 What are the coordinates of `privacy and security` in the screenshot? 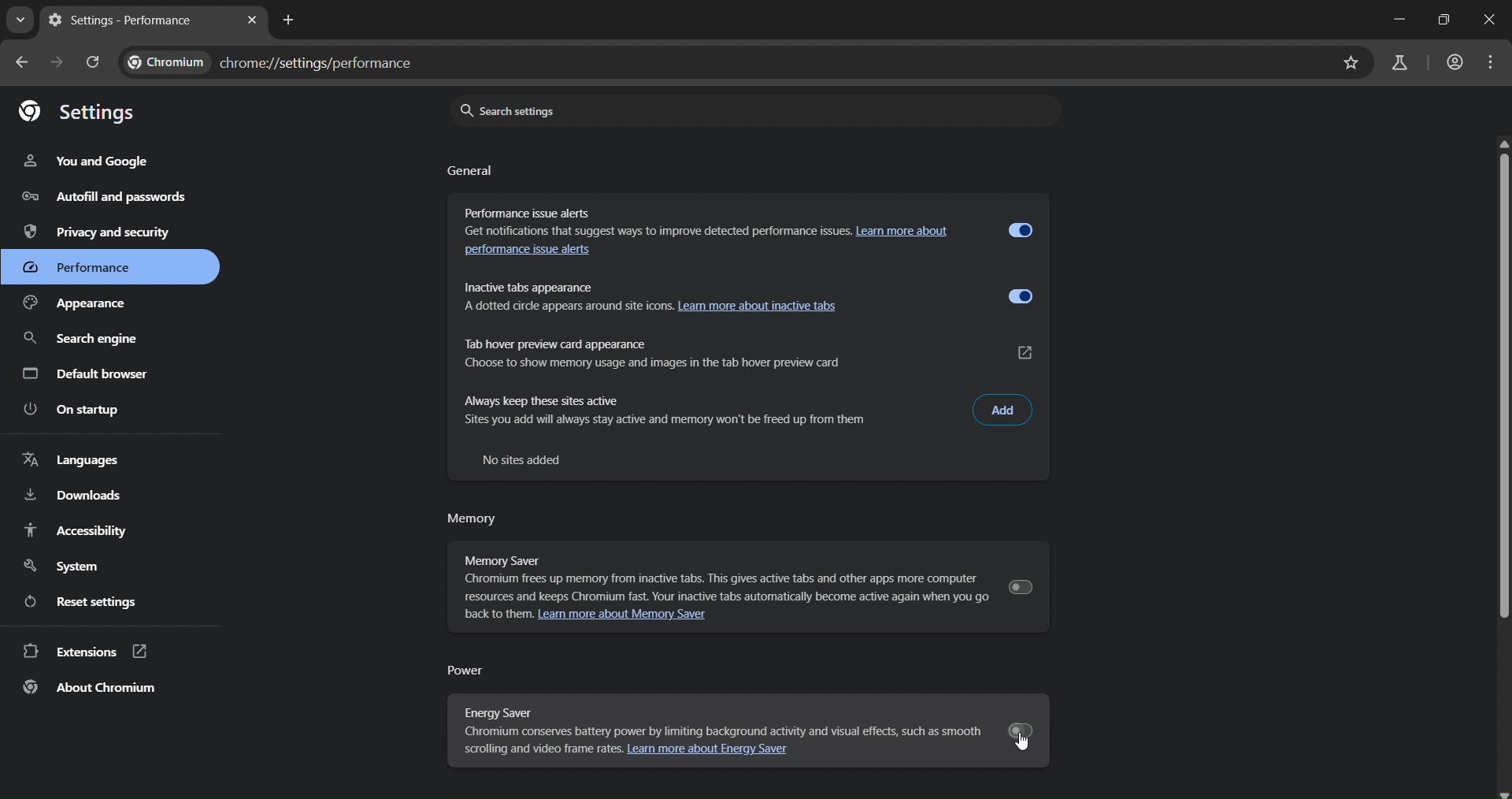 It's located at (102, 231).